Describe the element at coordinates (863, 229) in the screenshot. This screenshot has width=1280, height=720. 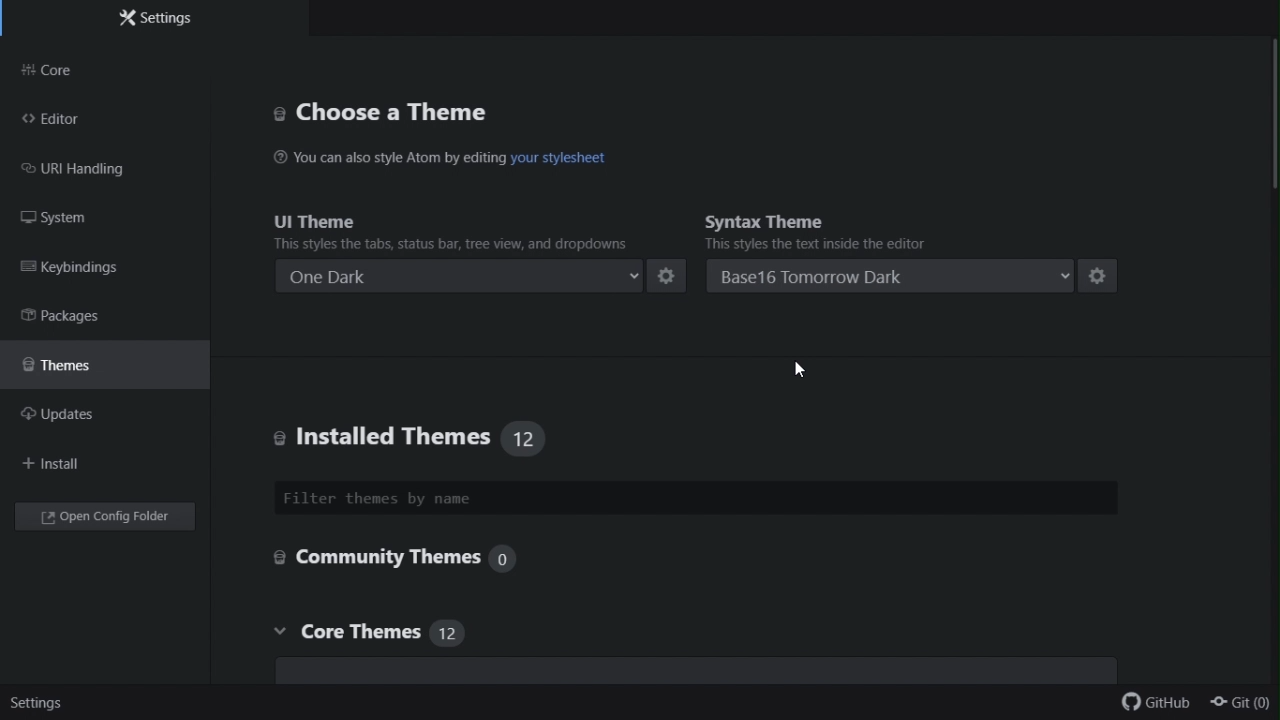
I see `Syntax theme` at that location.